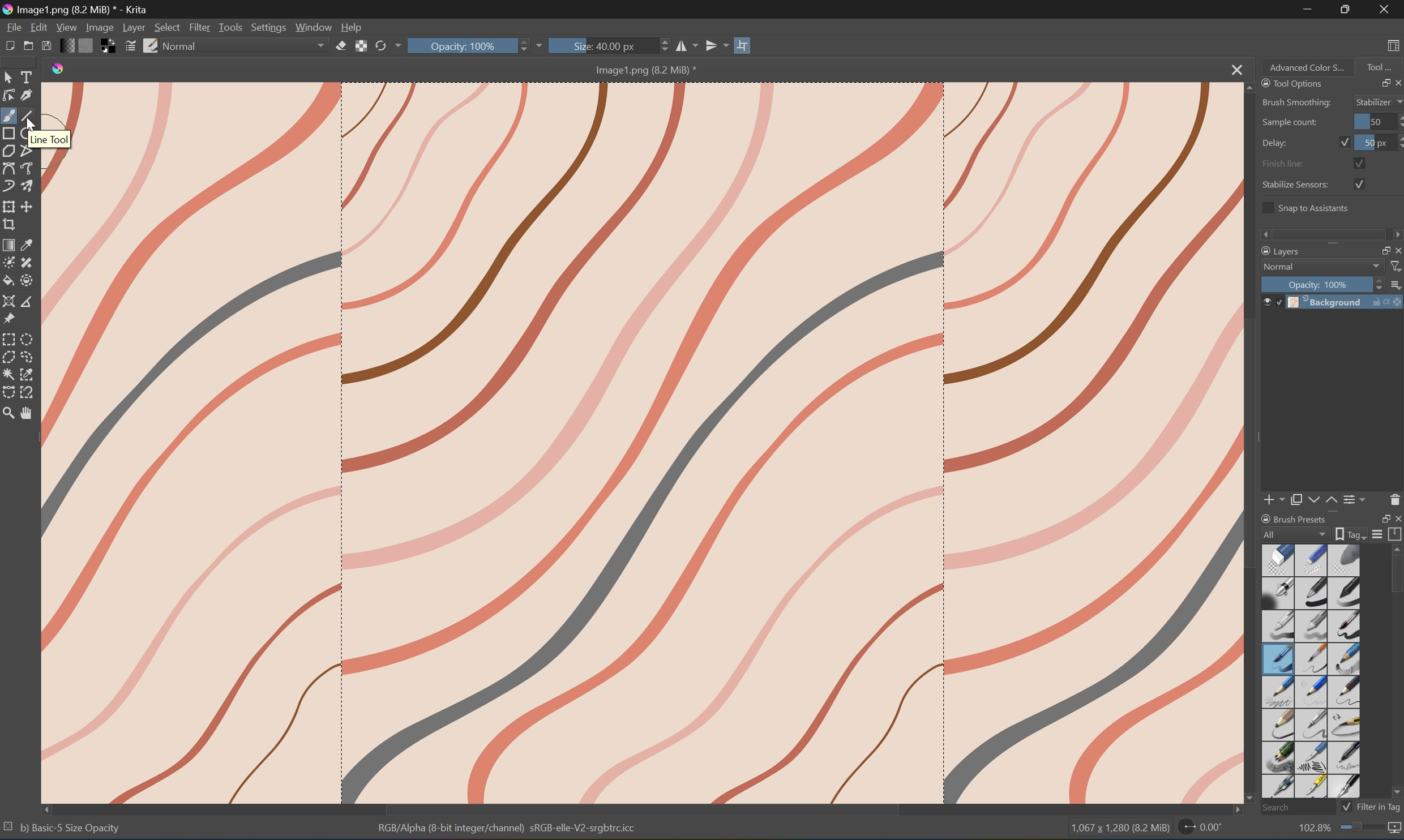 This screenshot has height=840, width=1404. I want to click on Help, so click(354, 28).